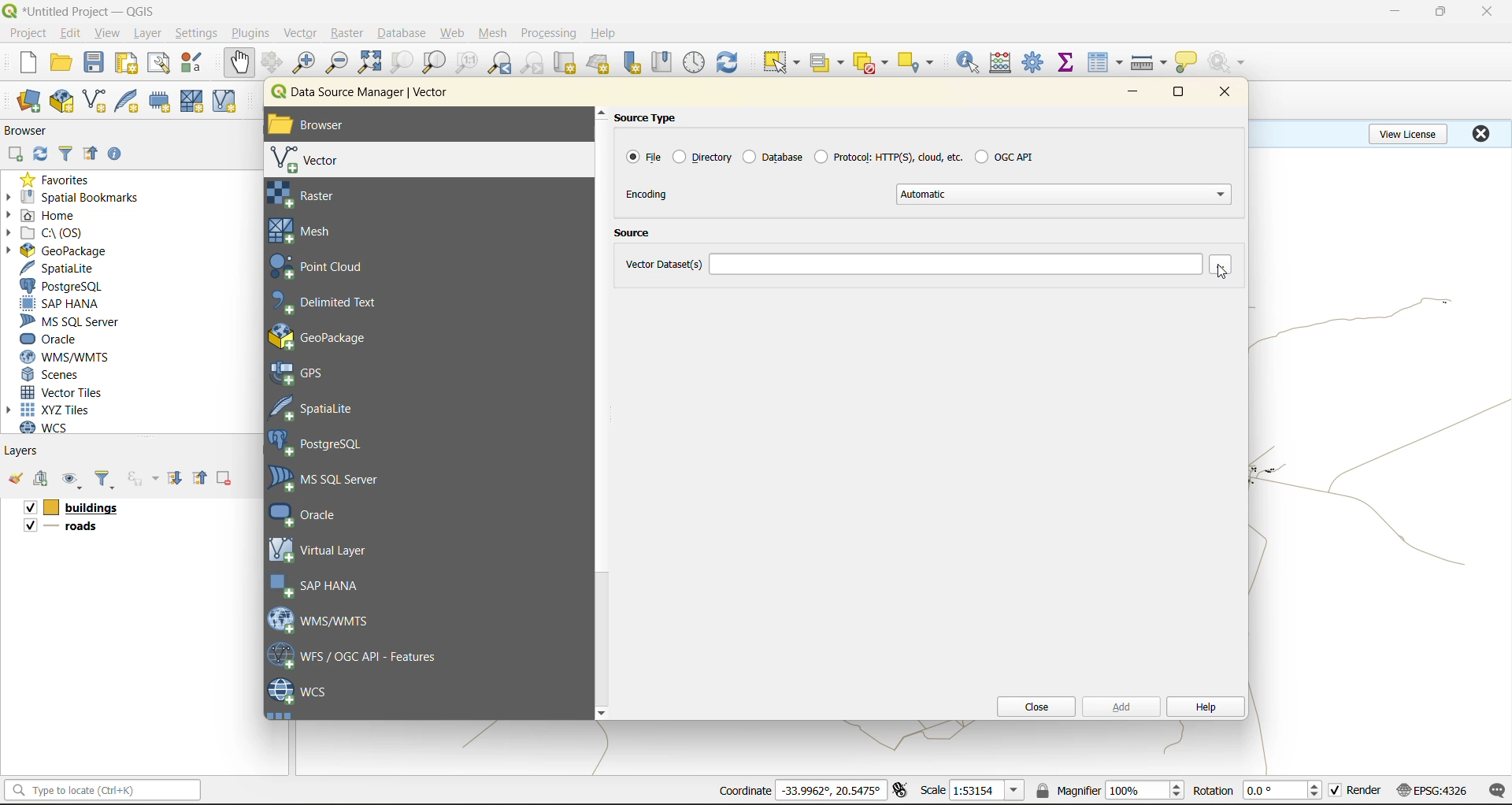  Describe the element at coordinates (986, 791) in the screenshot. I see `scale` at that location.